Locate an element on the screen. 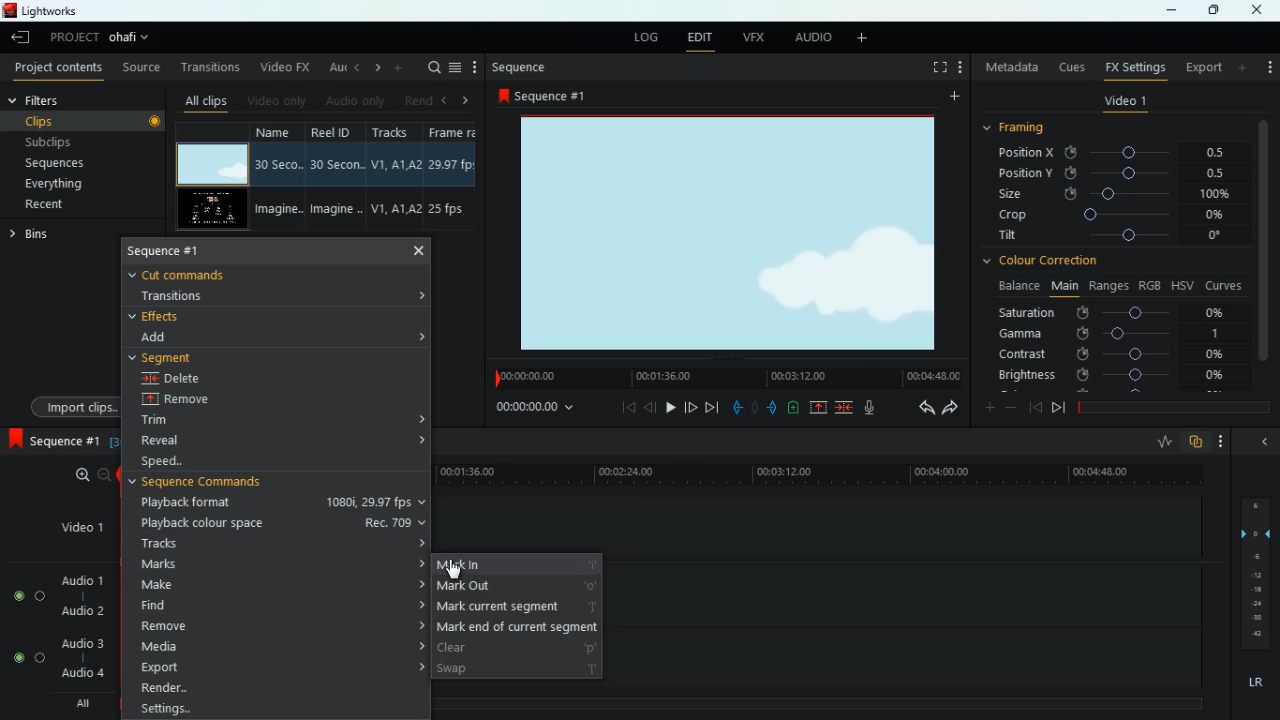 The width and height of the screenshot is (1280, 720). screen is located at coordinates (211, 164).